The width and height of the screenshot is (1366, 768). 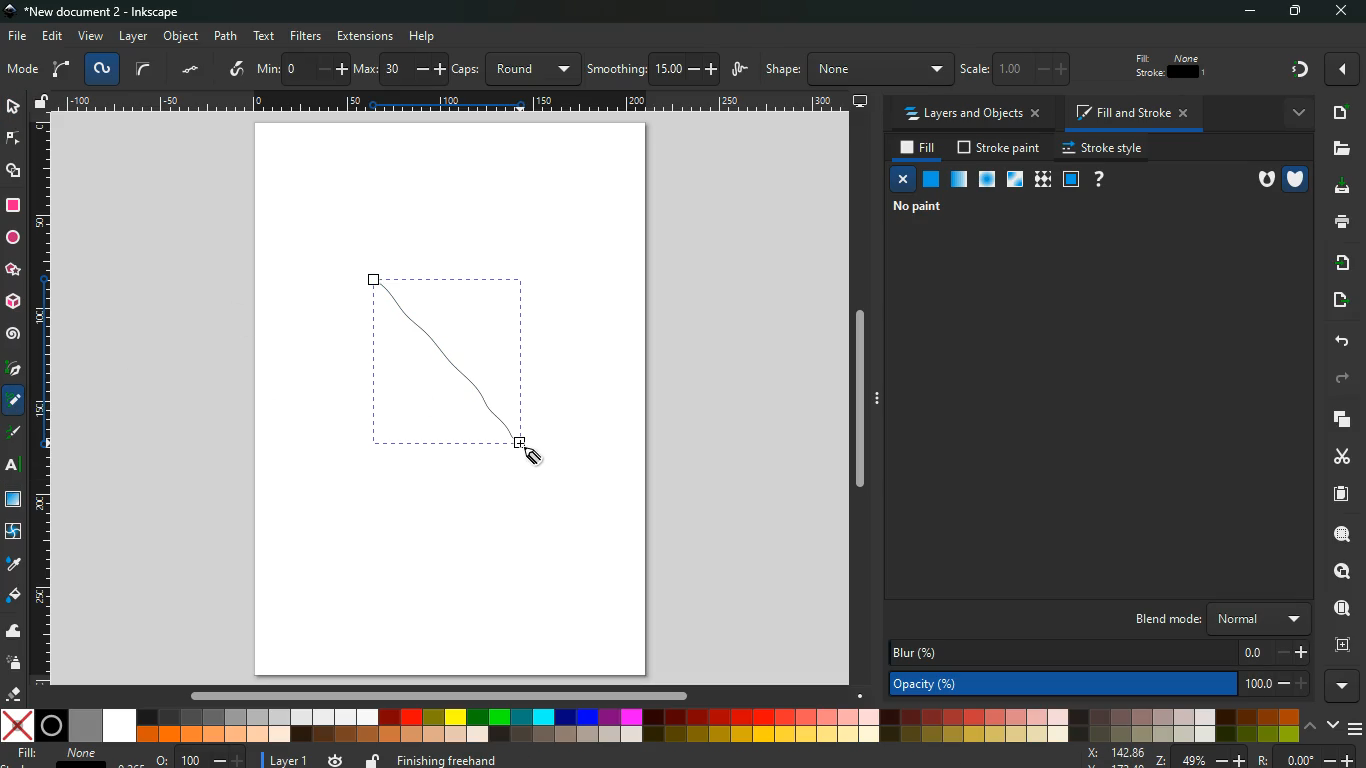 What do you see at coordinates (680, 759) in the screenshot?
I see `message` at bounding box center [680, 759].